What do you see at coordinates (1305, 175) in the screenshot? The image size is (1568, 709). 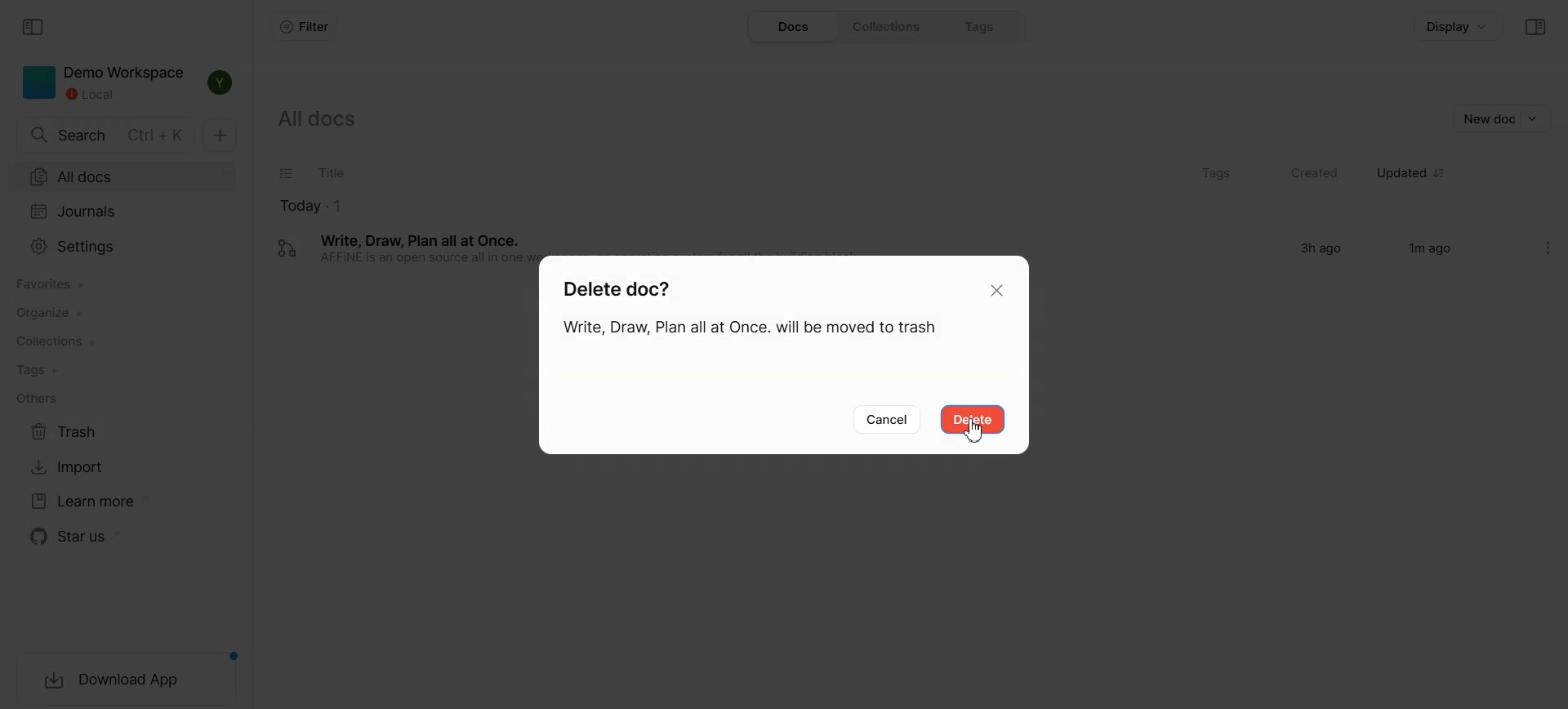 I see `Created` at bounding box center [1305, 175].